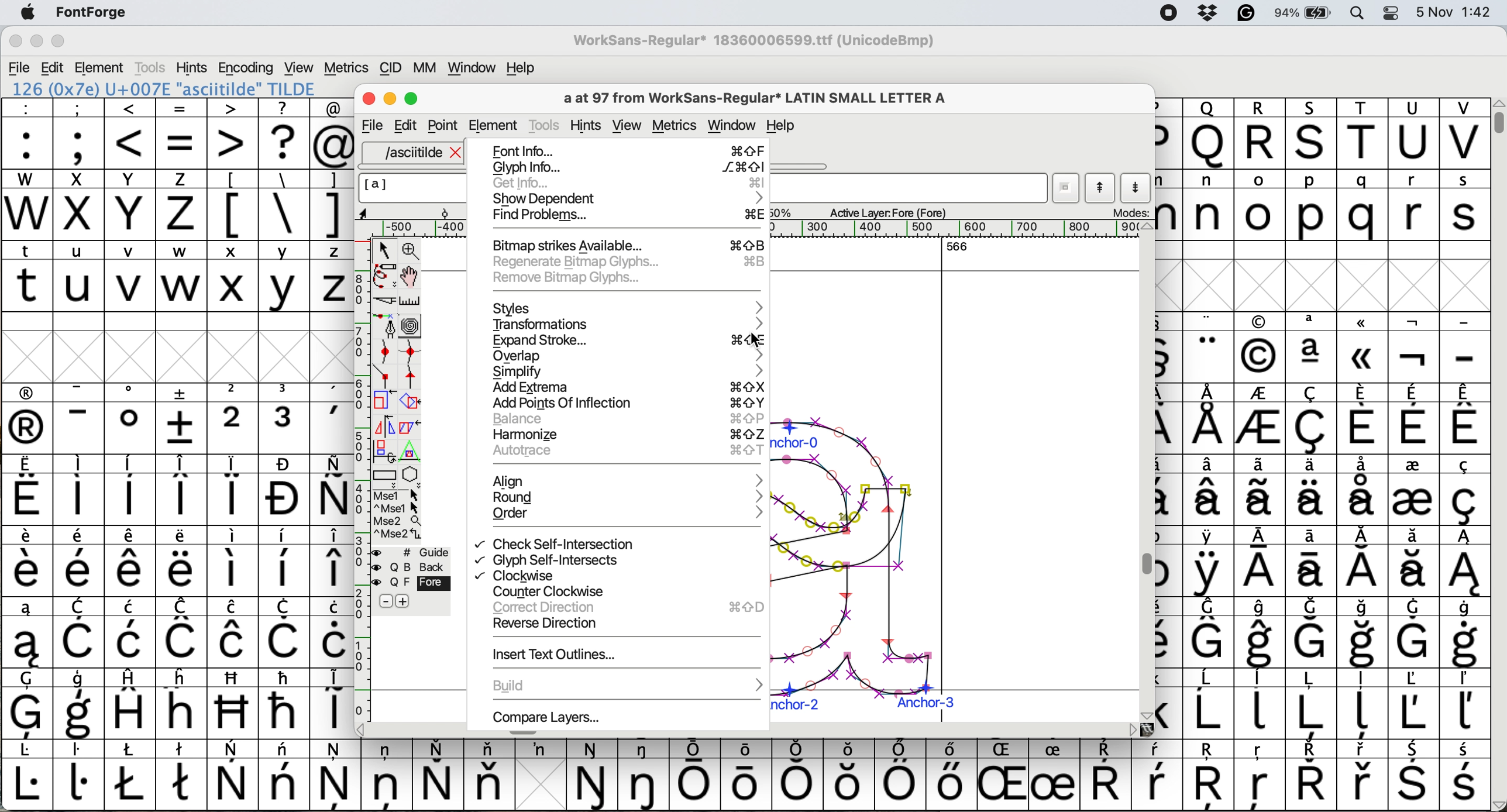  What do you see at coordinates (384, 475) in the screenshot?
I see `Rectangle or box` at bounding box center [384, 475].